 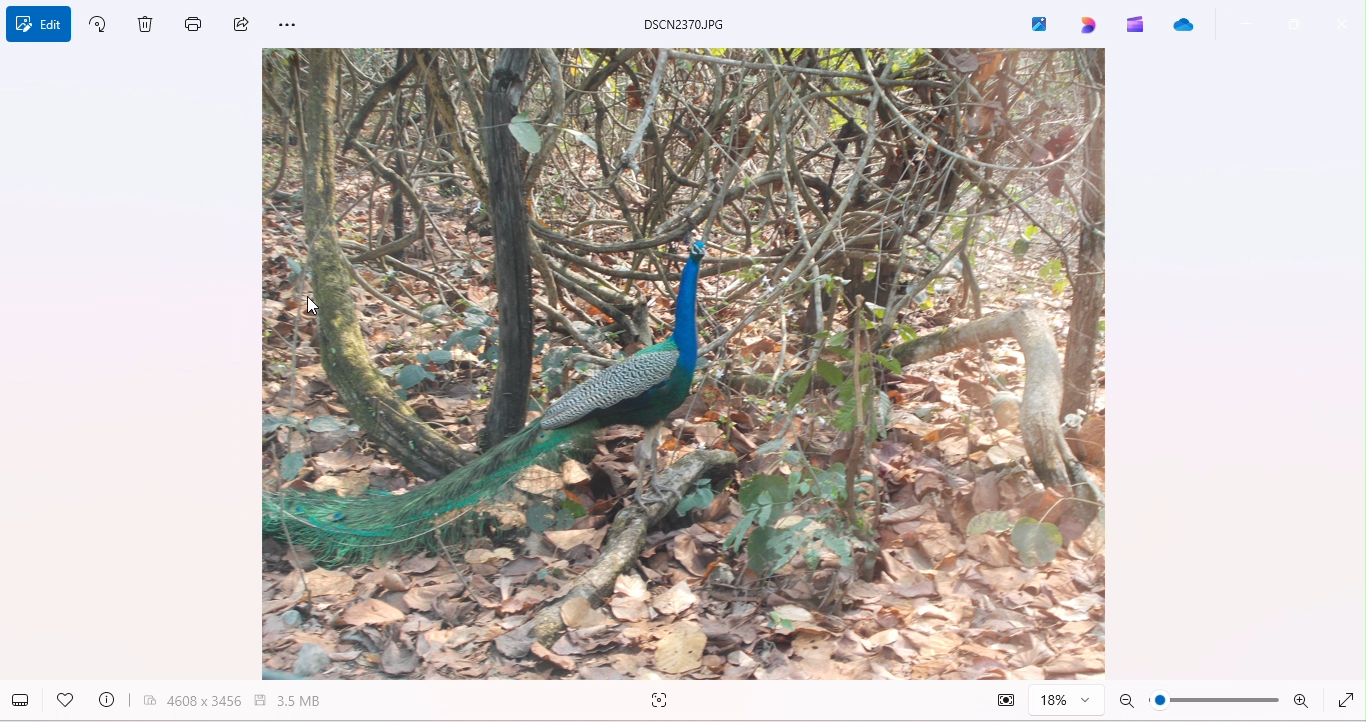 I want to click on edit, so click(x=41, y=27).